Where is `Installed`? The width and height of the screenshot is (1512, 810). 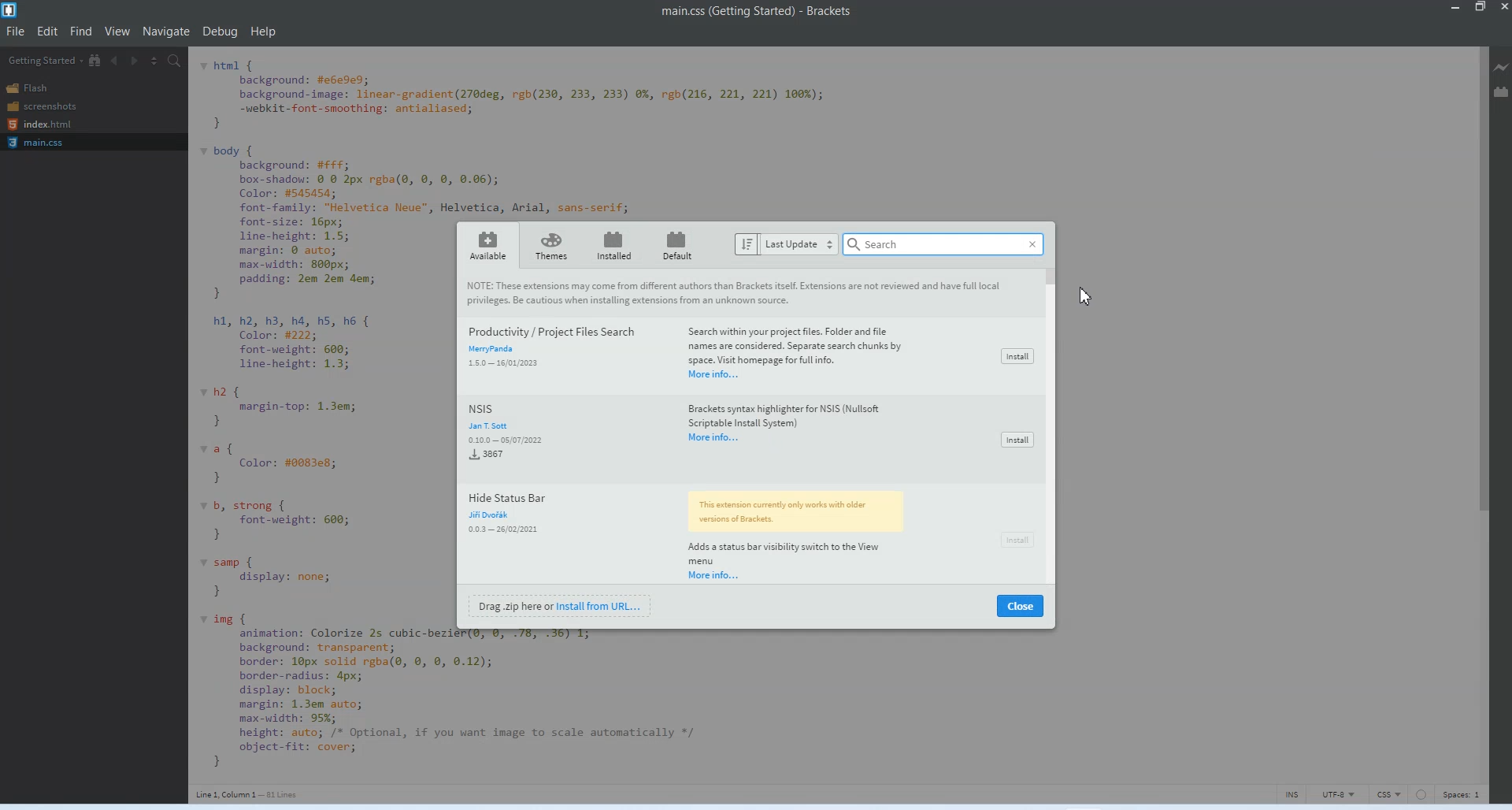 Installed is located at coordinates (610, 245).